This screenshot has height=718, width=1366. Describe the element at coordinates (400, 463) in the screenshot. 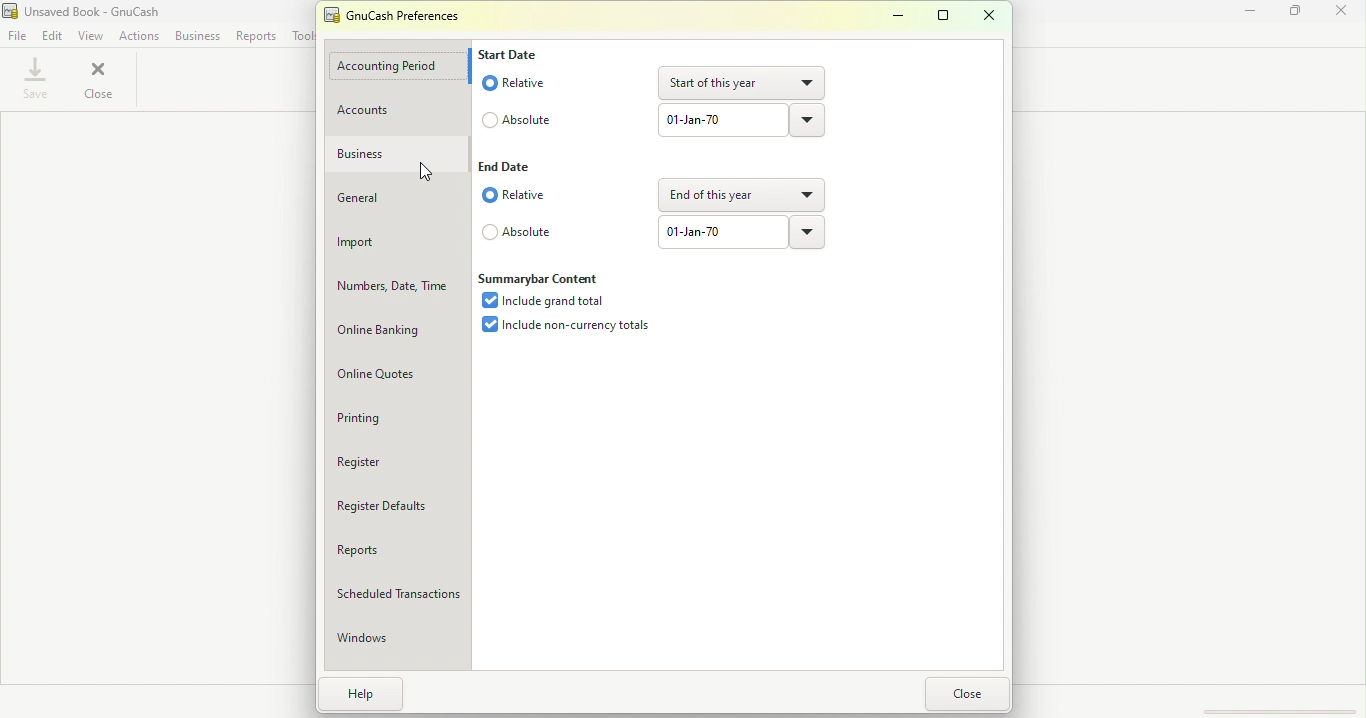

I see `Register` at that location.